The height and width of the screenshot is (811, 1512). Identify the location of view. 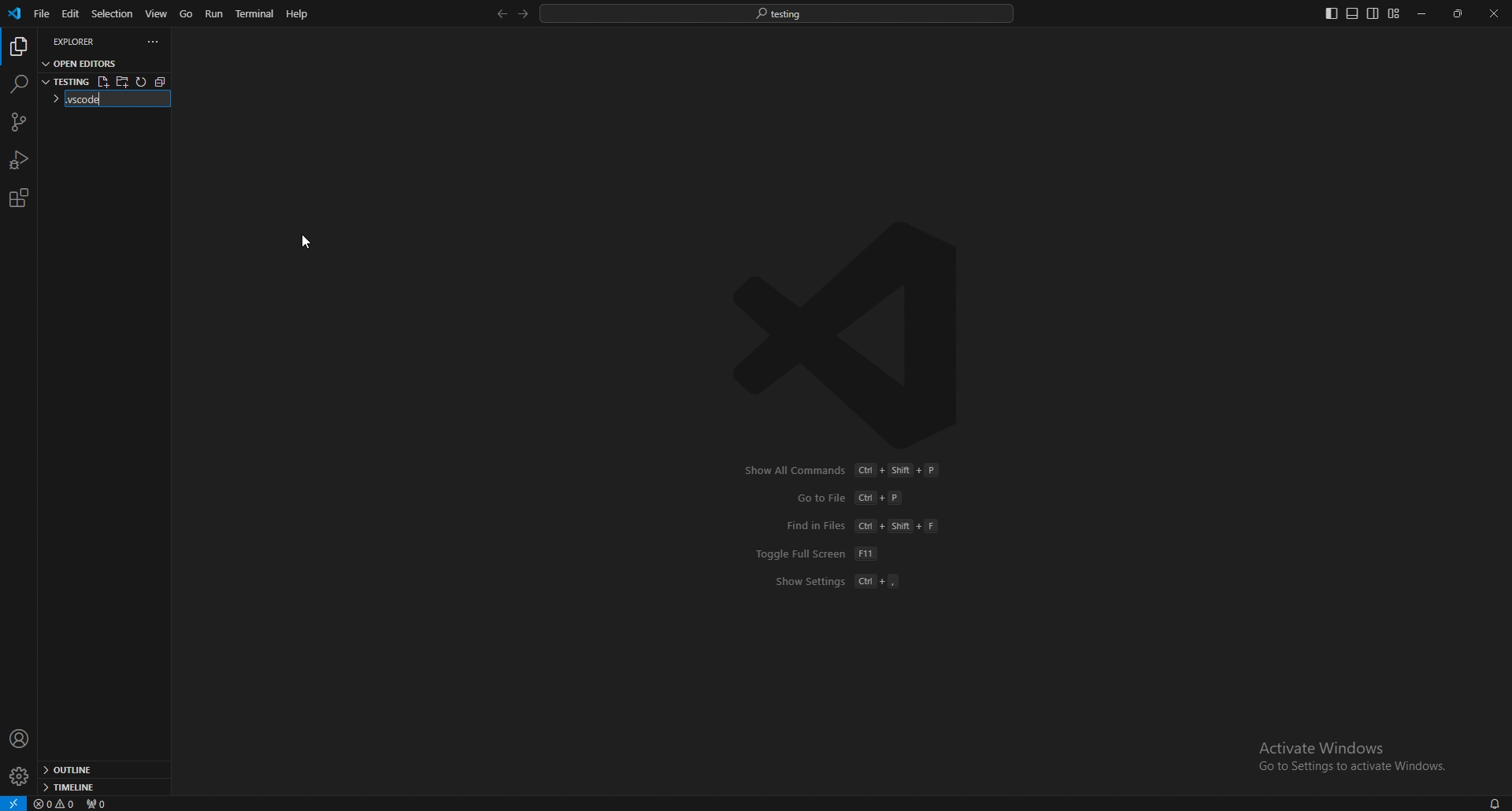
(157, 13).